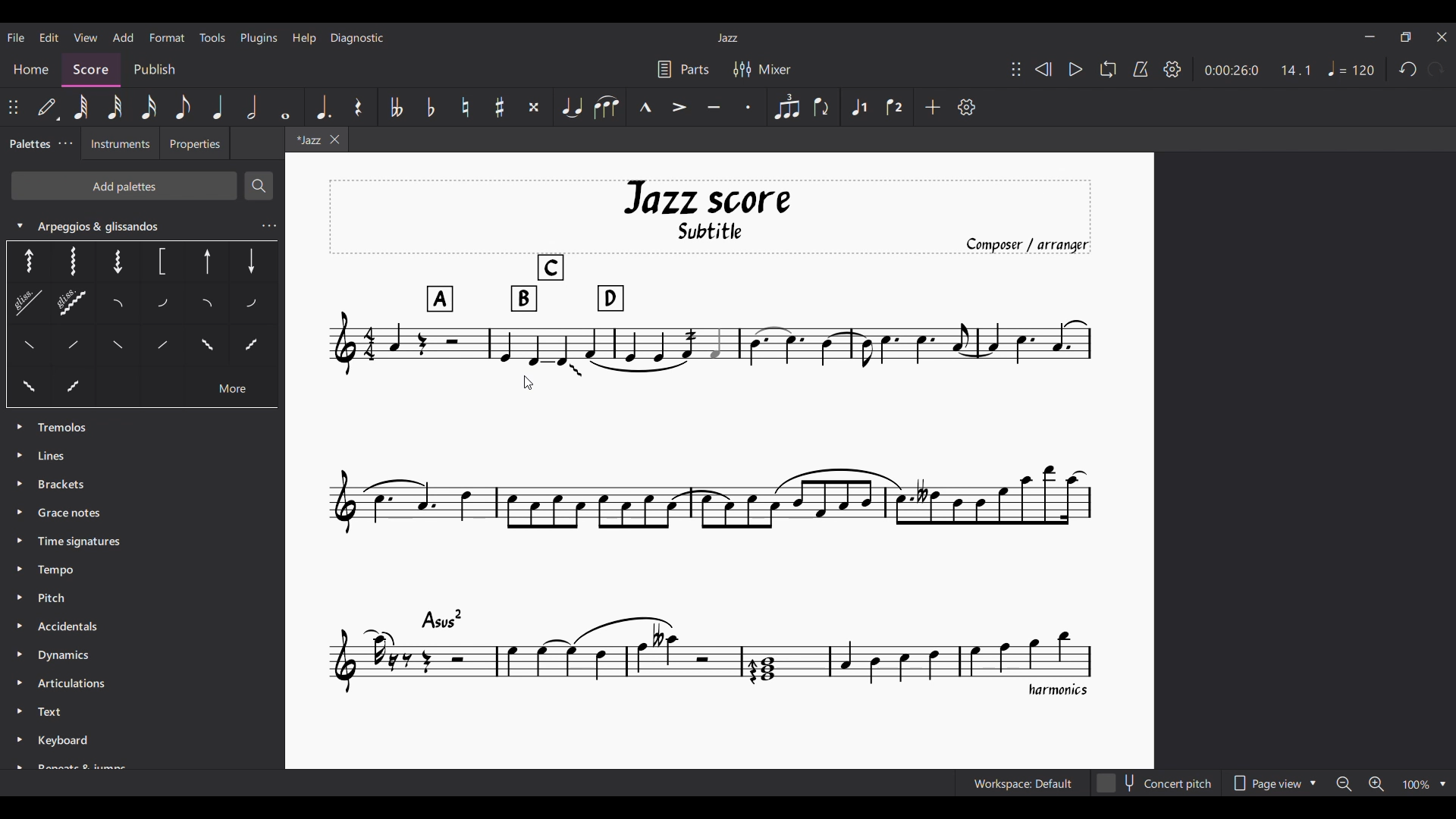  What do you see at coordinates (1156, 783) in the screenshot?
I see `Concert pitch toggle` at bounding box center [1156, 783].